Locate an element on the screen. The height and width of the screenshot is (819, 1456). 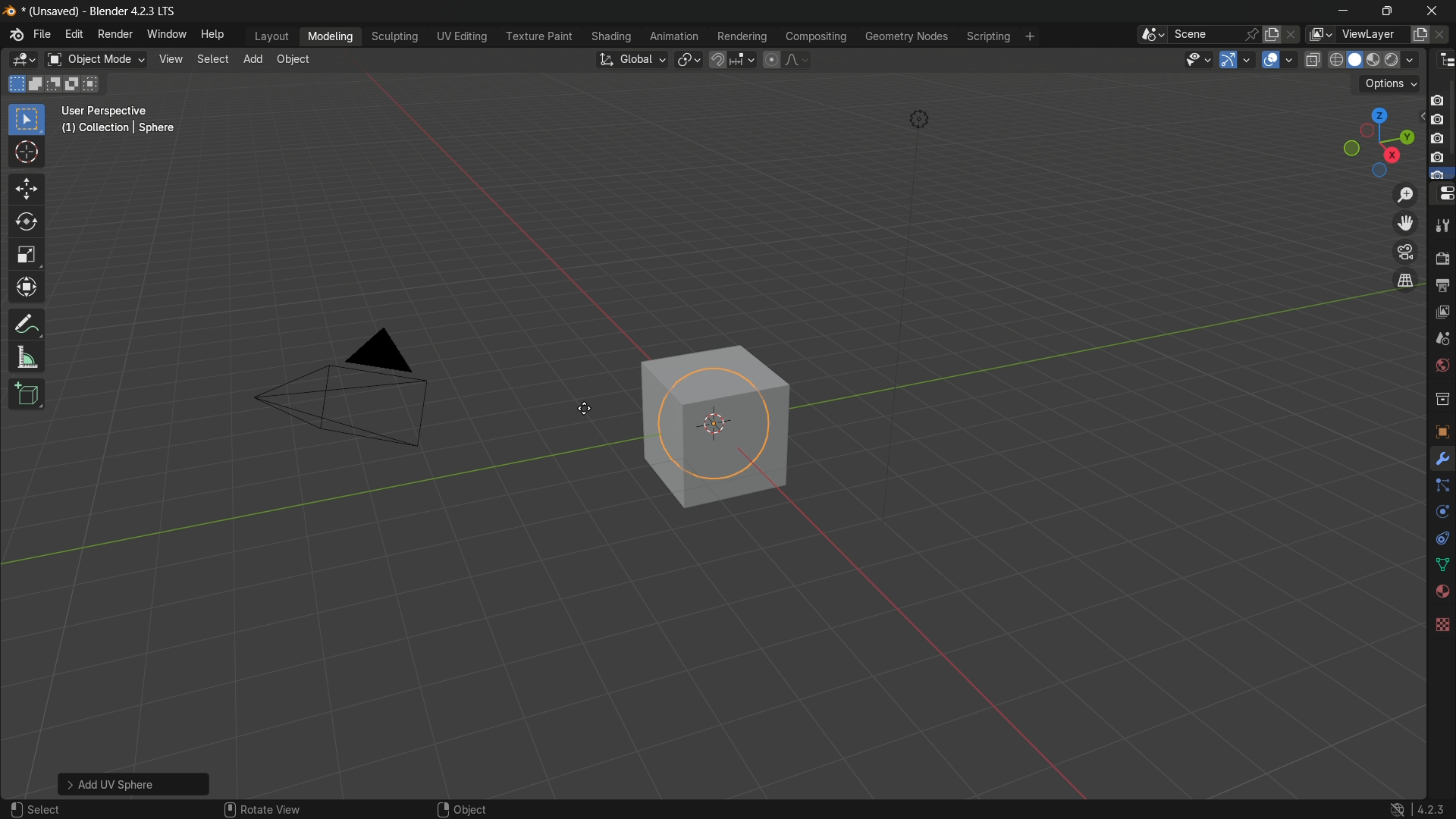
switch the current view is located at coordinates (1404, 280).